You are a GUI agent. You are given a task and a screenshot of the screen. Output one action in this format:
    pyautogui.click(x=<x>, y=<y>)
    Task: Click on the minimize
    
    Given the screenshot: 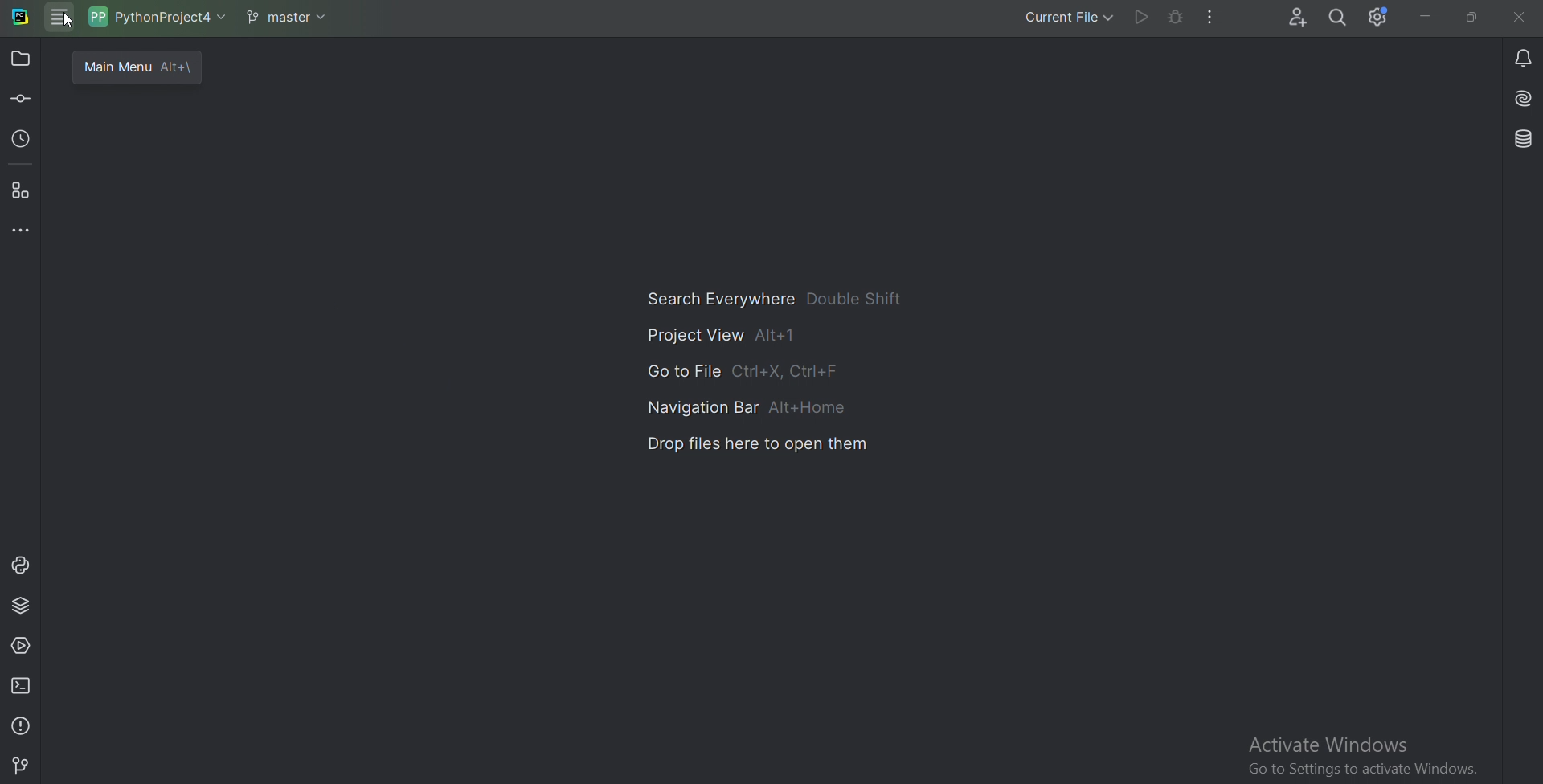 What is the action you would take?
    pyautogui.click(x=1422, y=17)
    